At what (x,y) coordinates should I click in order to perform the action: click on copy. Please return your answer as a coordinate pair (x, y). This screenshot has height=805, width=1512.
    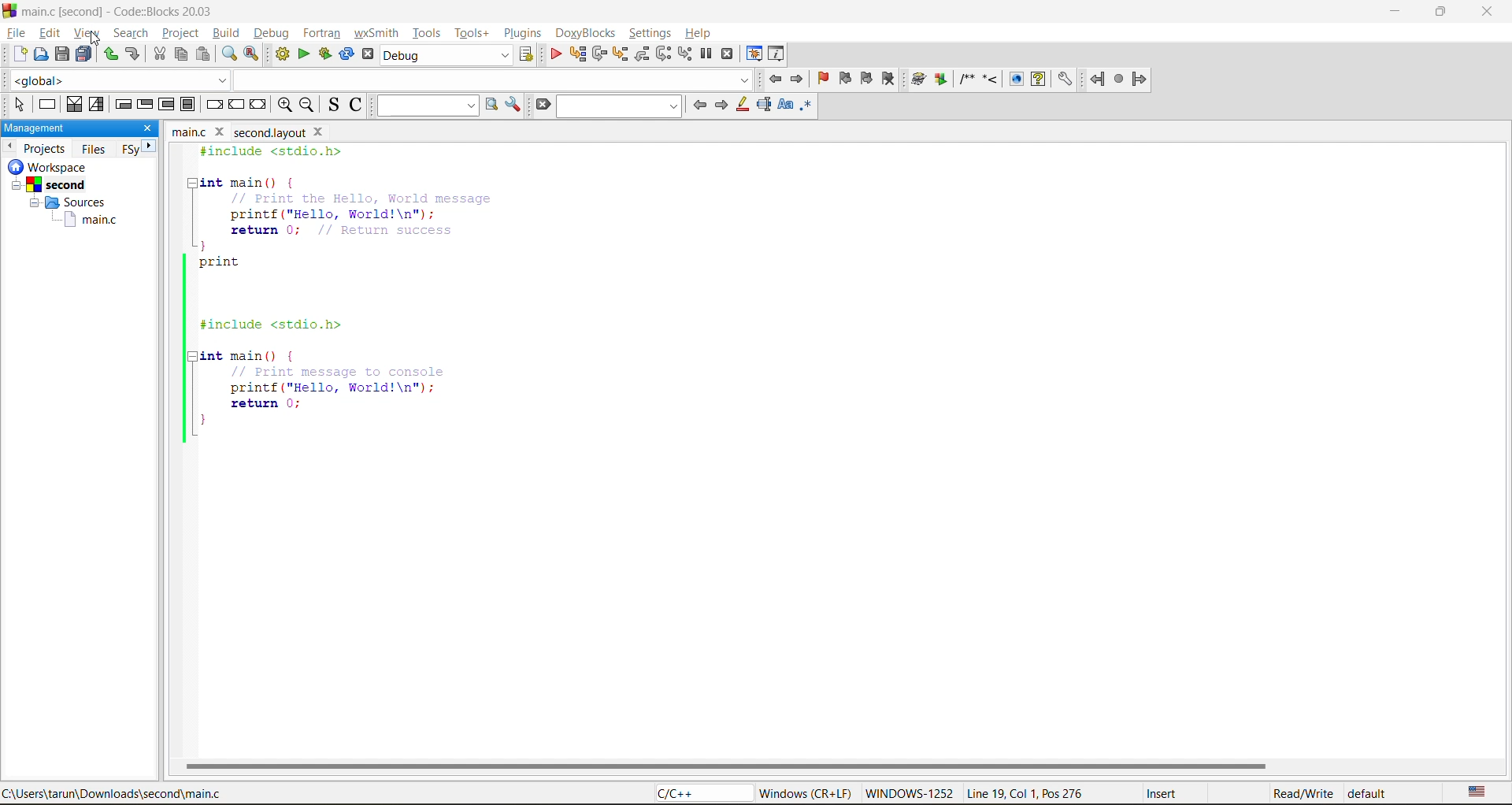
    Looking at the image, I should click on (180, 57).